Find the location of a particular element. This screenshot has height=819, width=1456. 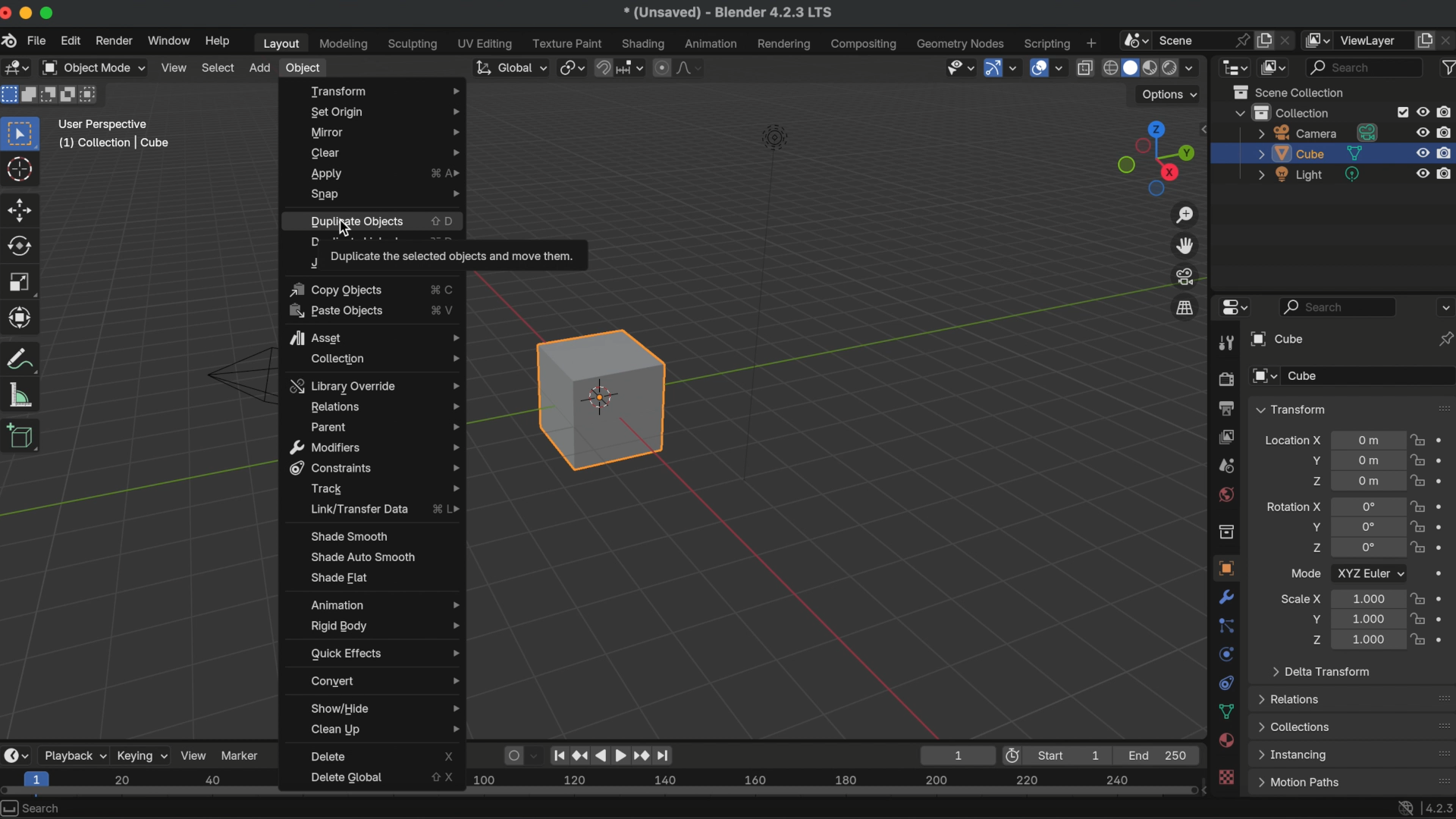

render is located at coordinates (112, 41).